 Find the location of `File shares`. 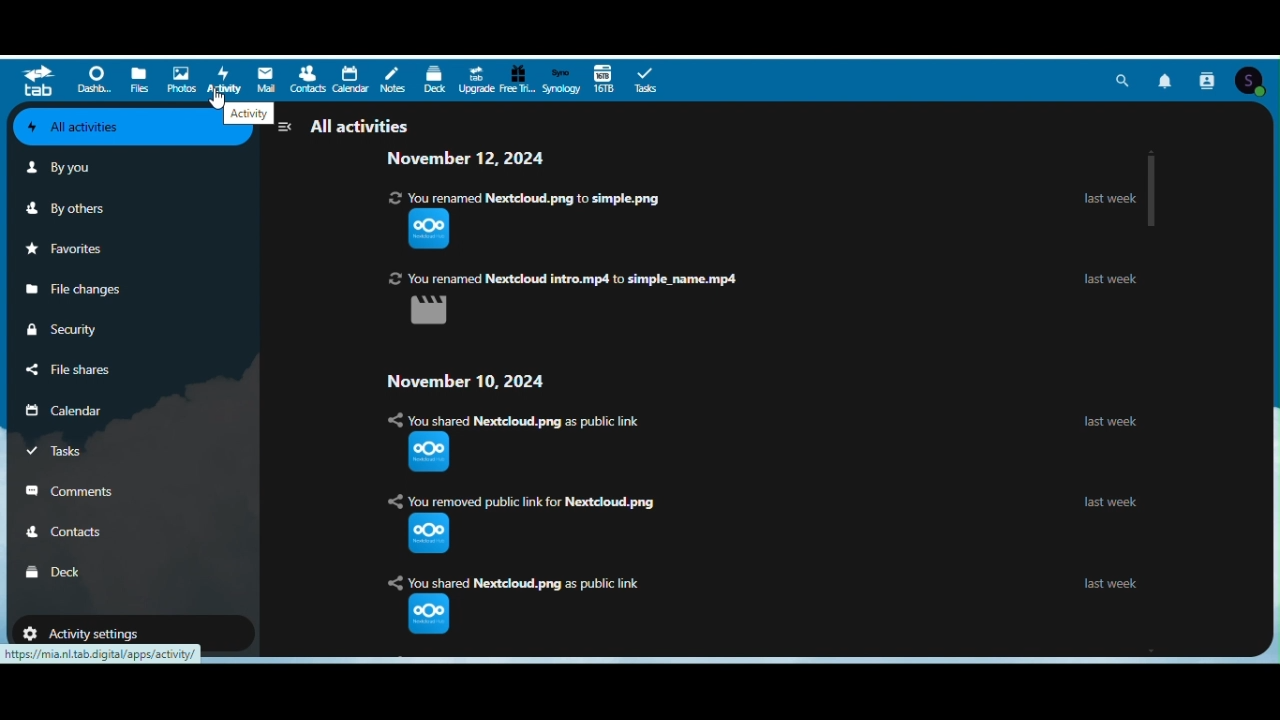

File shares is located at coordinates (72, 370).